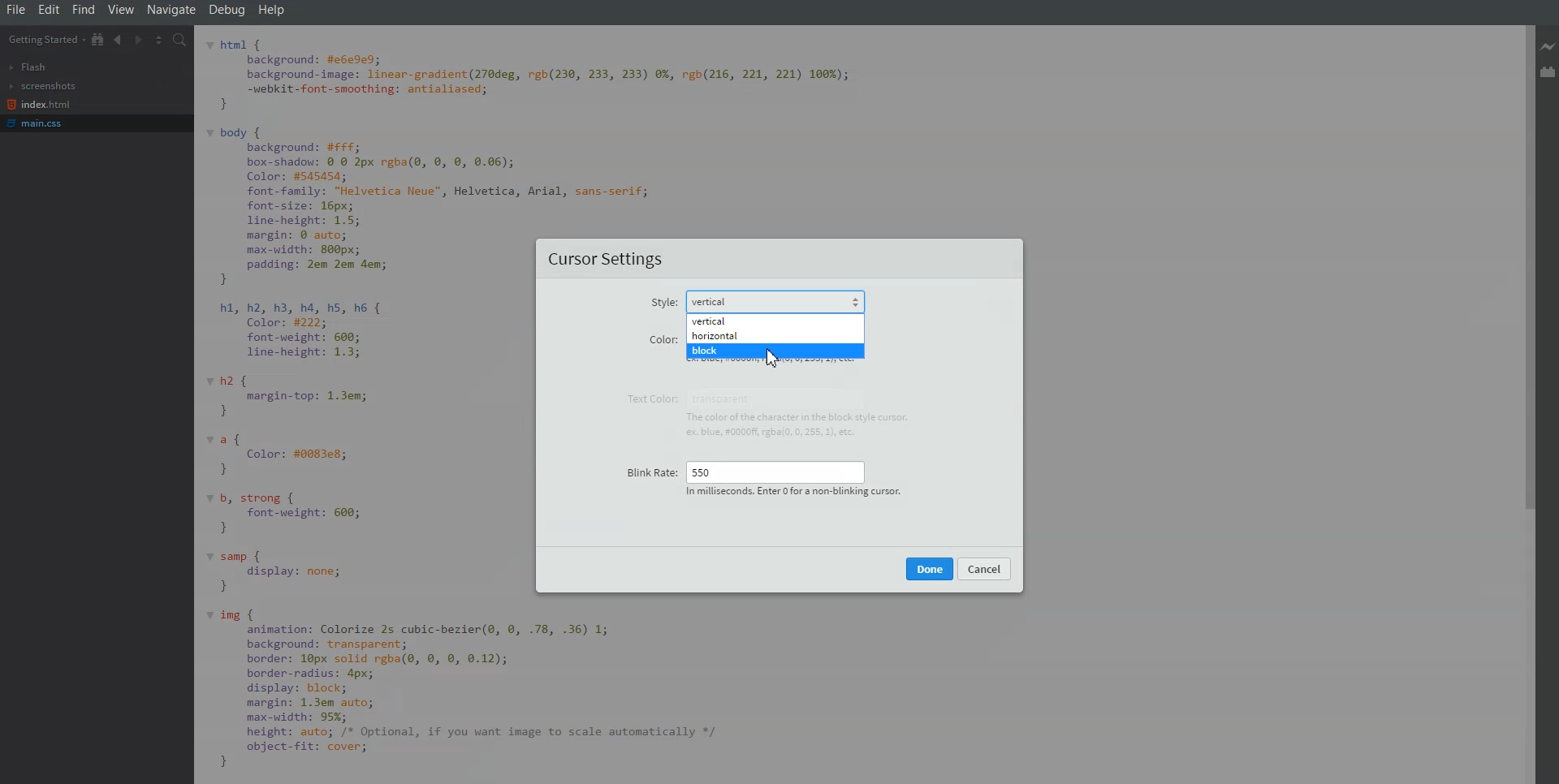 The image size is (1559, 784). I want to click on Vertical, so click(779, 301).